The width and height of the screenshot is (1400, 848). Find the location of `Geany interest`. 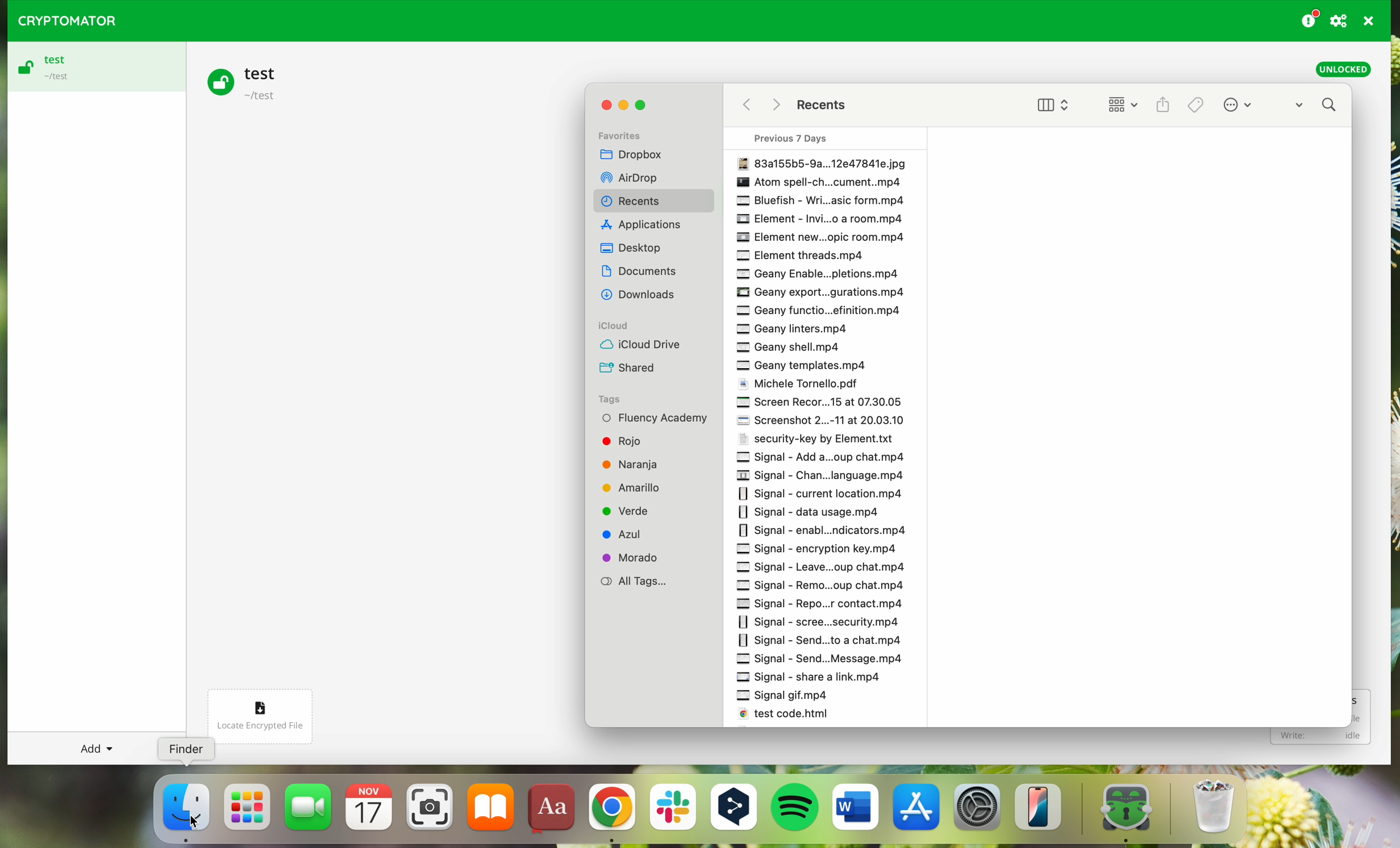

Geany interest is located at coordinates (797, 329).